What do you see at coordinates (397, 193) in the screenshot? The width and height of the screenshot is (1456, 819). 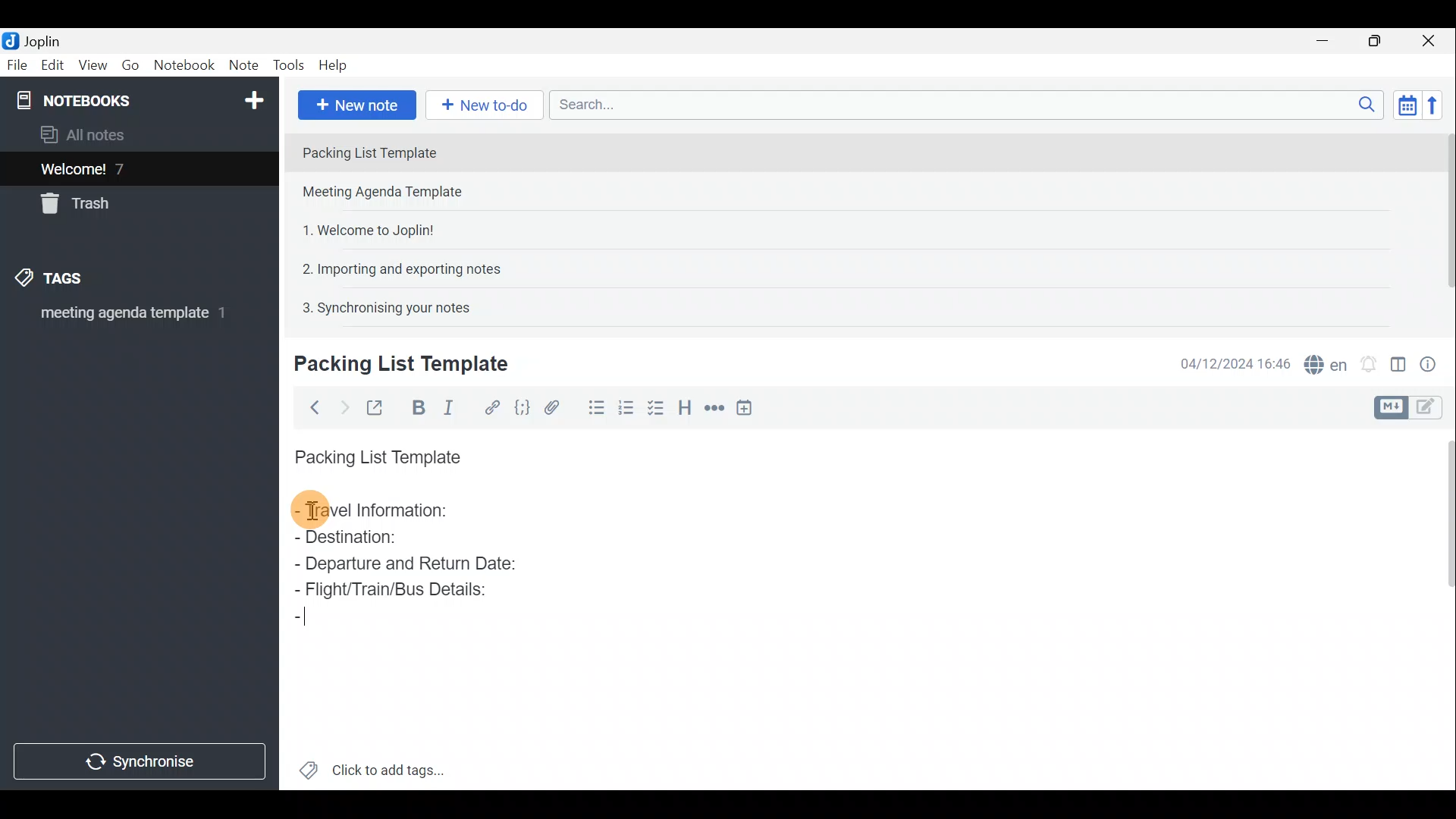 I see `Note 2` at bounding box center [397, 193].